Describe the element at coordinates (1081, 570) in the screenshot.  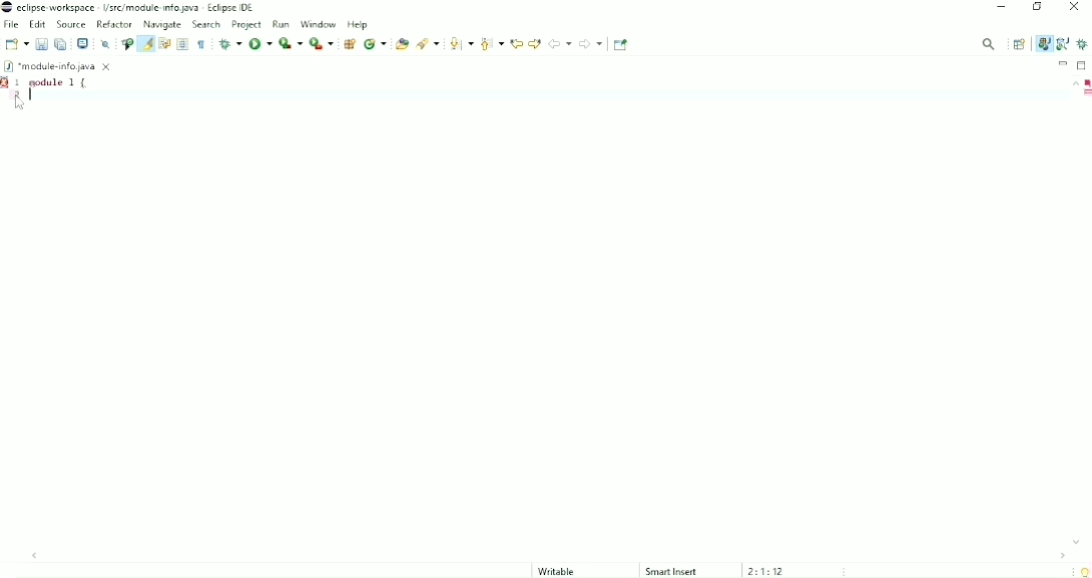
I see `Tip of the day` at that location.